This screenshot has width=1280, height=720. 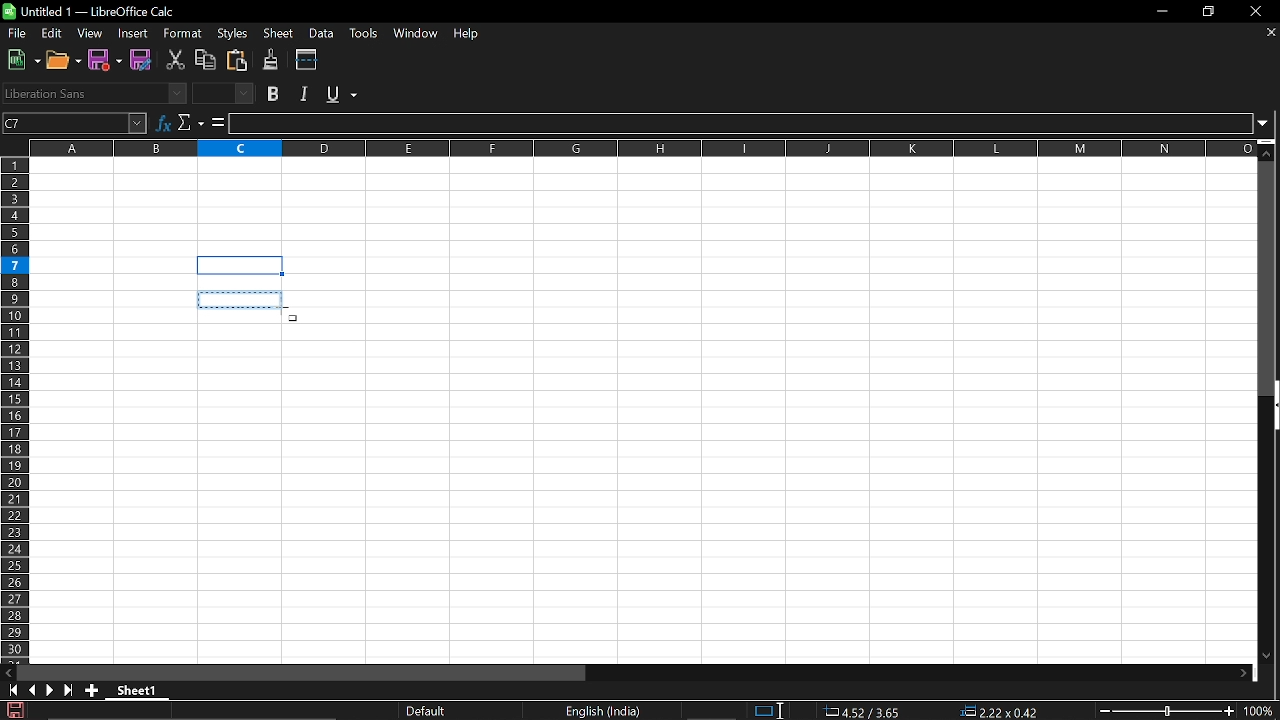 I want to click on Fillable cells, so click(x=776, y=457).